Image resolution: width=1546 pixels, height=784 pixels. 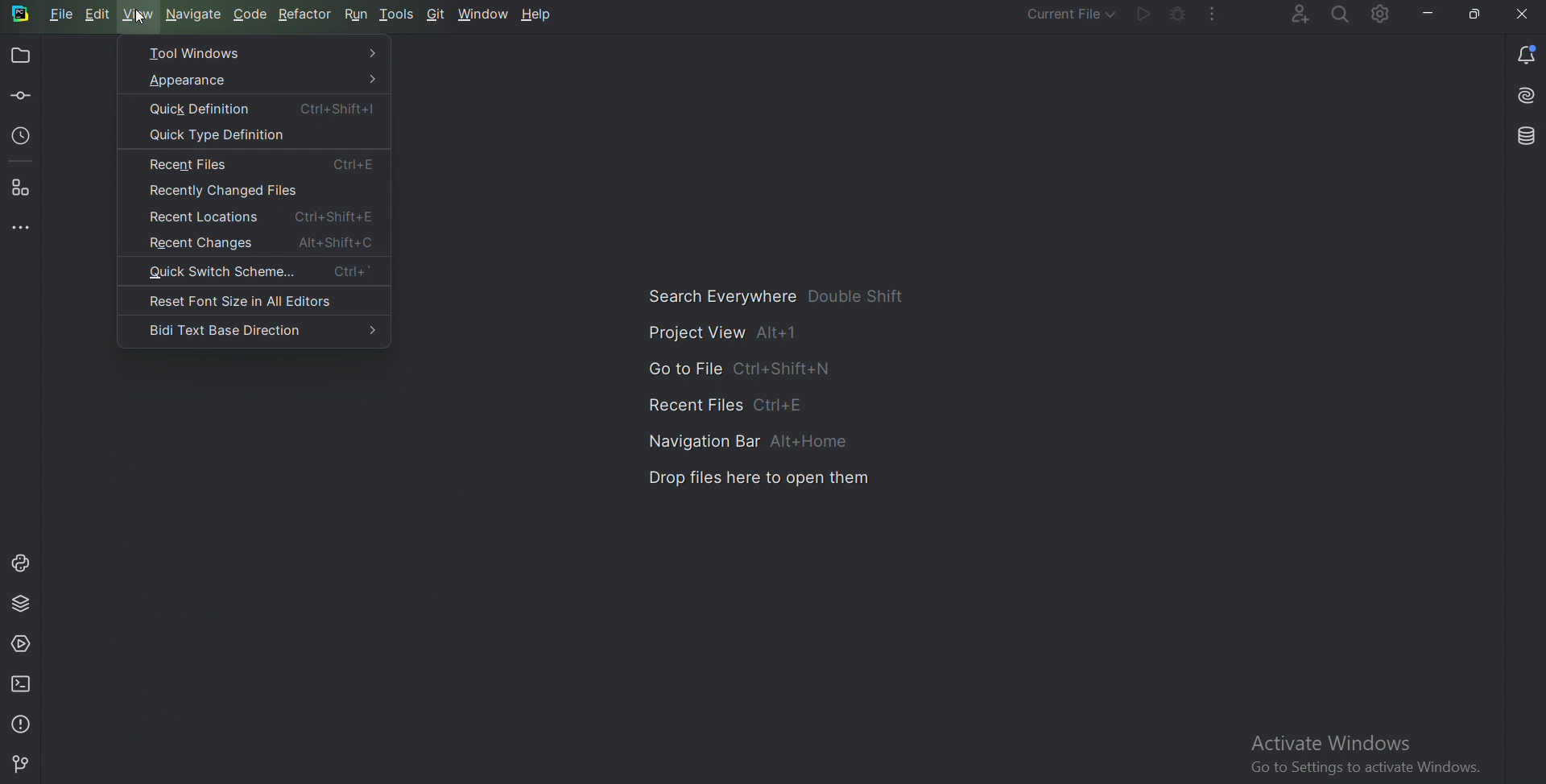 I want to click on Recent changes, so click(x=253, y=244).